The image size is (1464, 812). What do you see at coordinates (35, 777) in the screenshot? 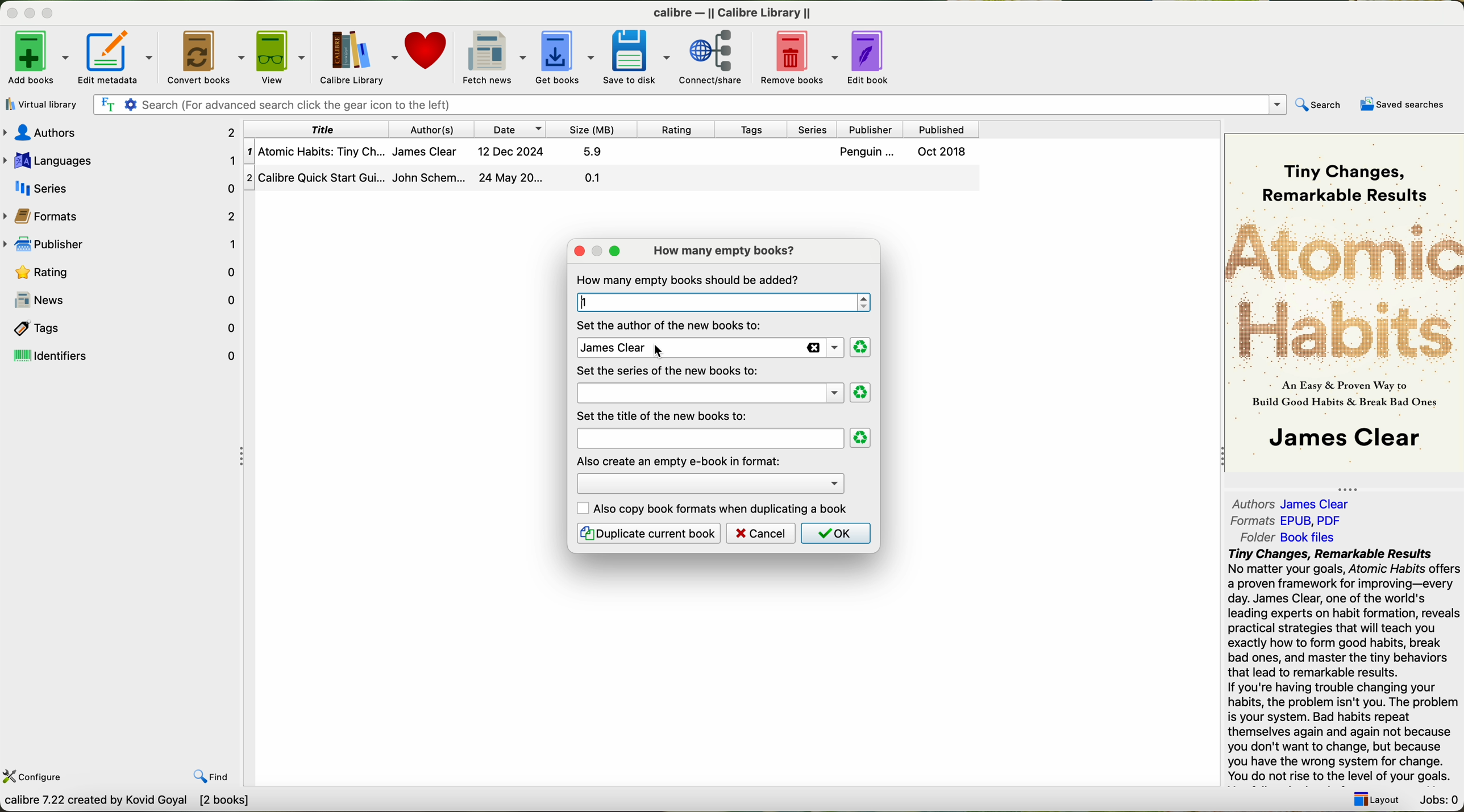
I see `configure` at bounding box center [35, 777].